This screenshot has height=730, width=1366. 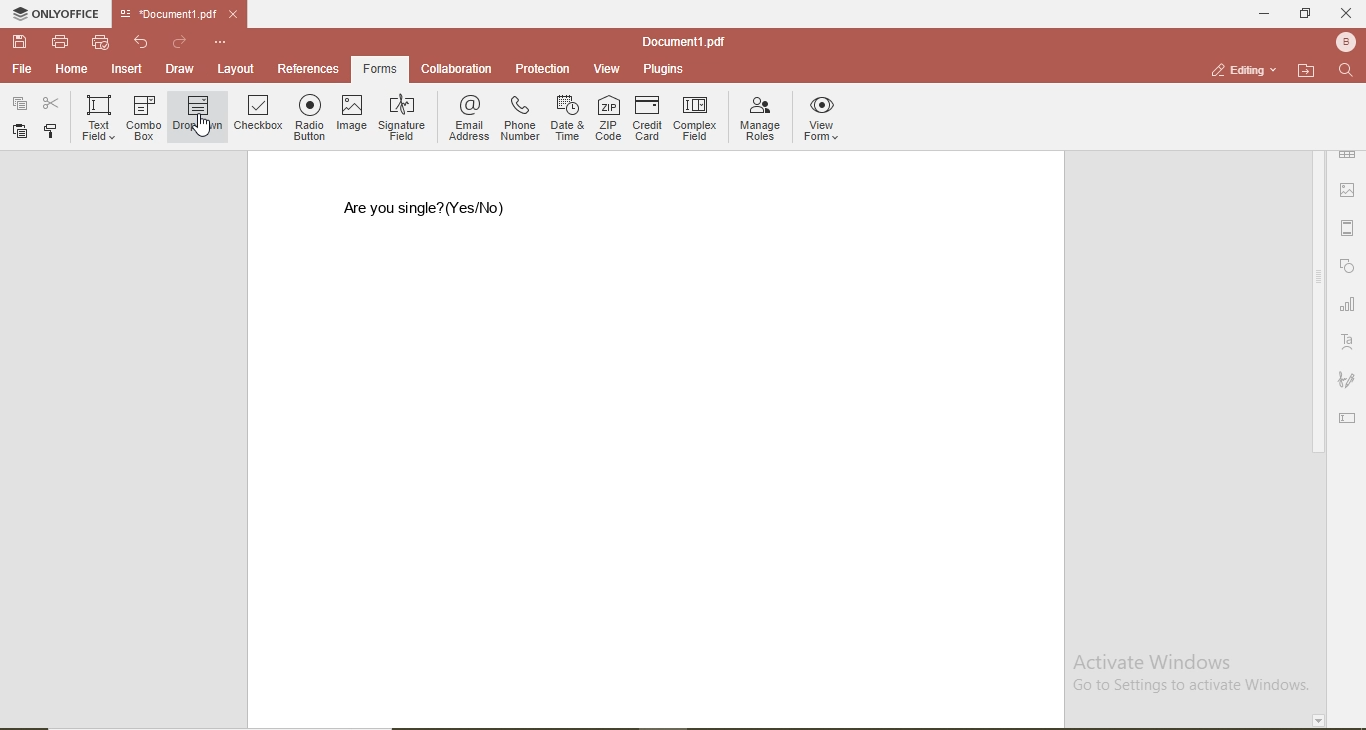 What do you see at coordinates (1348, 225) in the screenshot?
I see `margin` at bounding box center [1348, 225].